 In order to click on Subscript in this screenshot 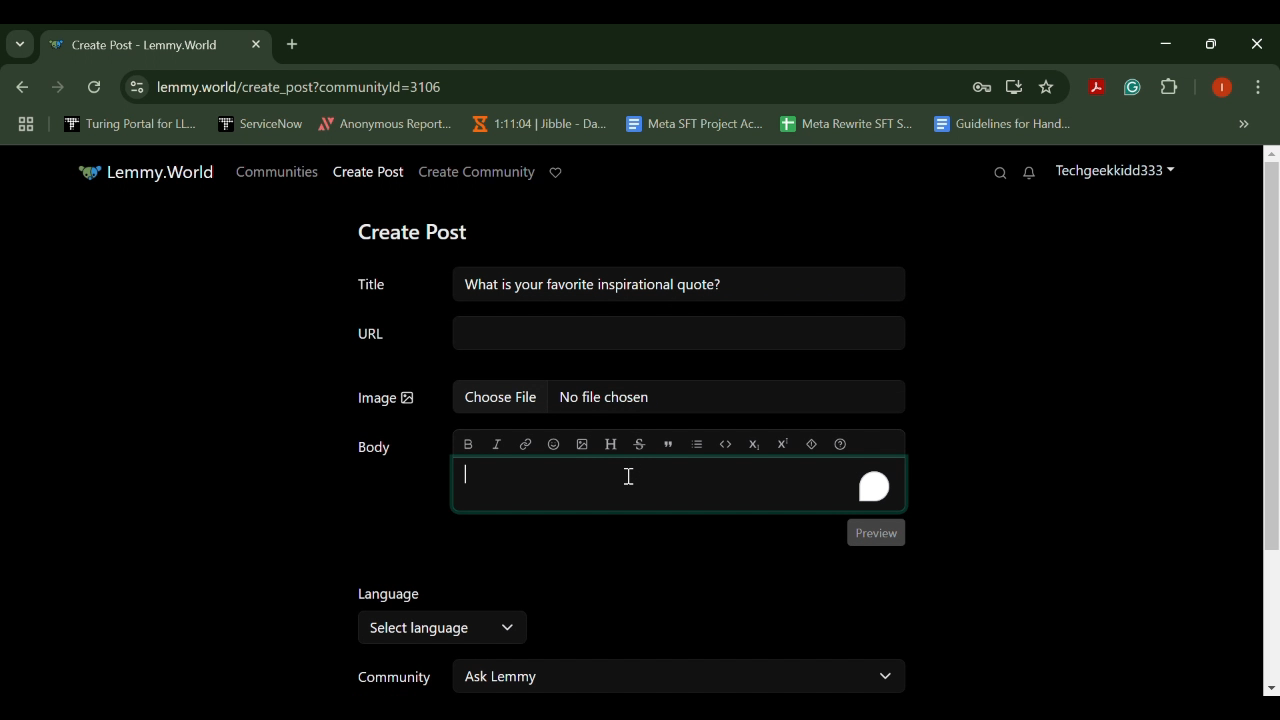, I will do `click(755, 443)`.